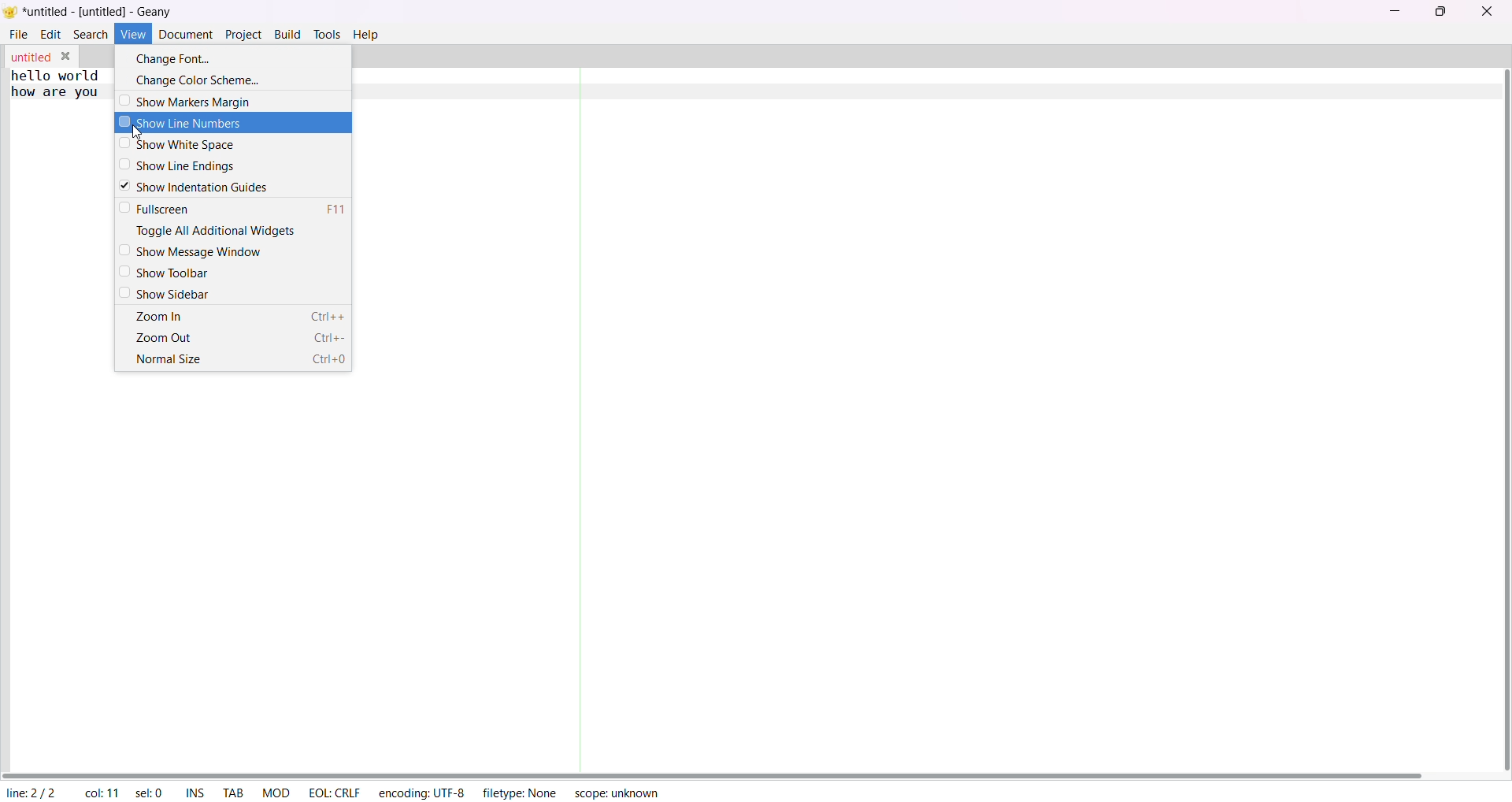 Image resolution: width=1512 pixels, height=802 pixels. What do you see at coordinates (132, 33) in the screenshot?
I see `view` at bounding box center [132, 33].